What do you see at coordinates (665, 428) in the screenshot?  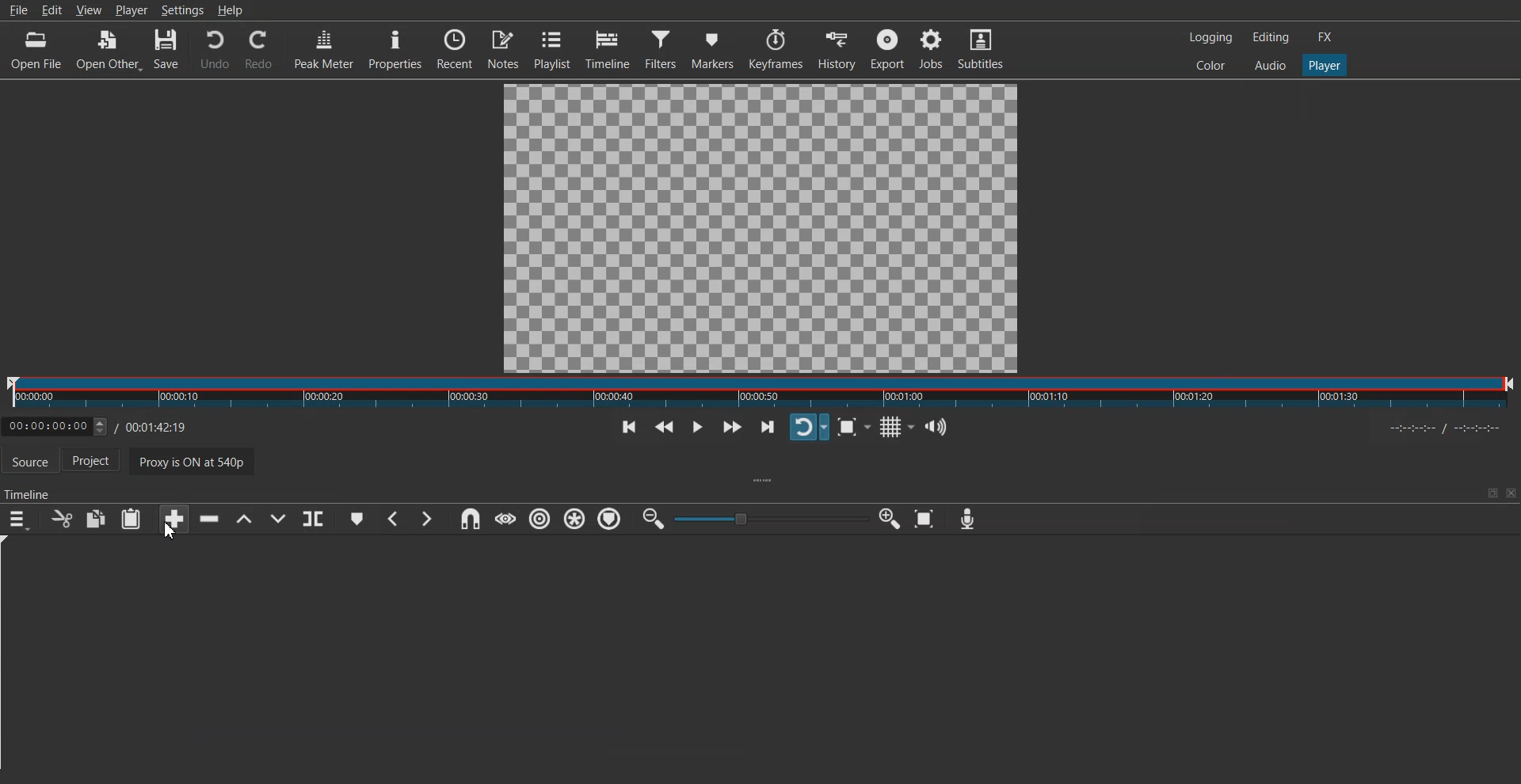 I see `Play quickly backwards` at bounding box center [665, 428].